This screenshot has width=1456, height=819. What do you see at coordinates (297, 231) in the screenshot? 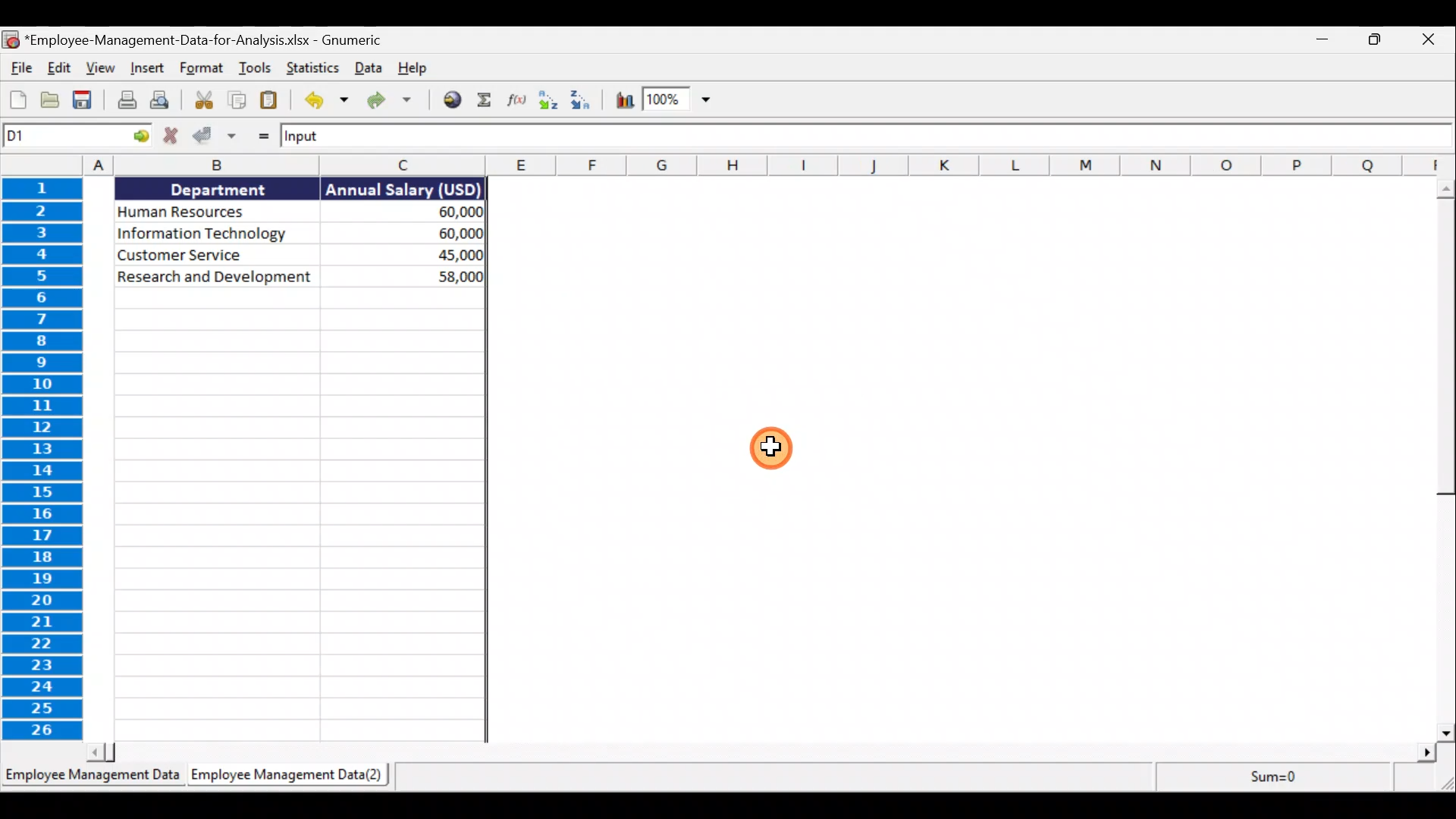
I see `Data` at bounding box center [297, 231].